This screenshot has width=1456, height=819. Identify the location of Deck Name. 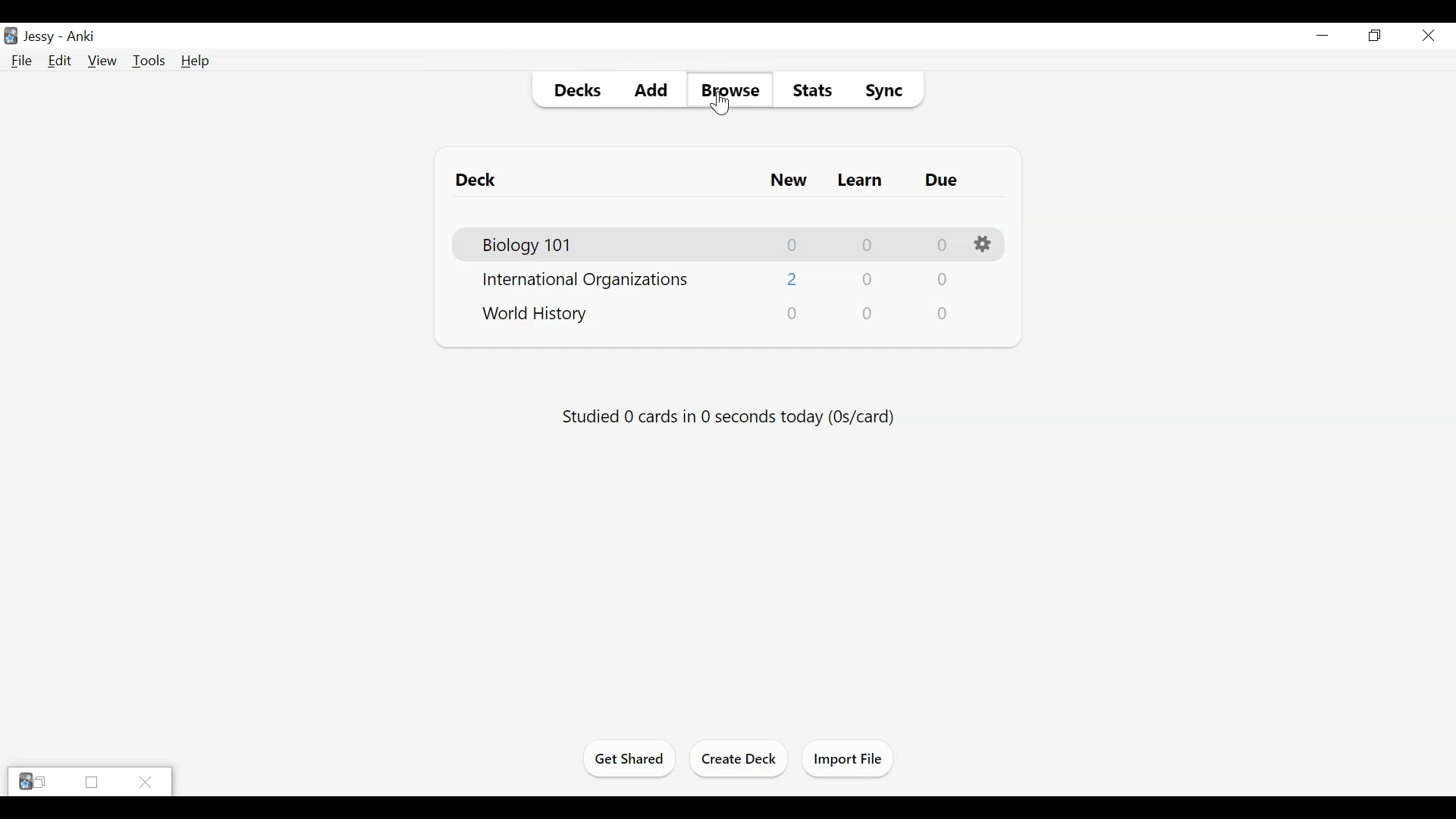
(536, 316).